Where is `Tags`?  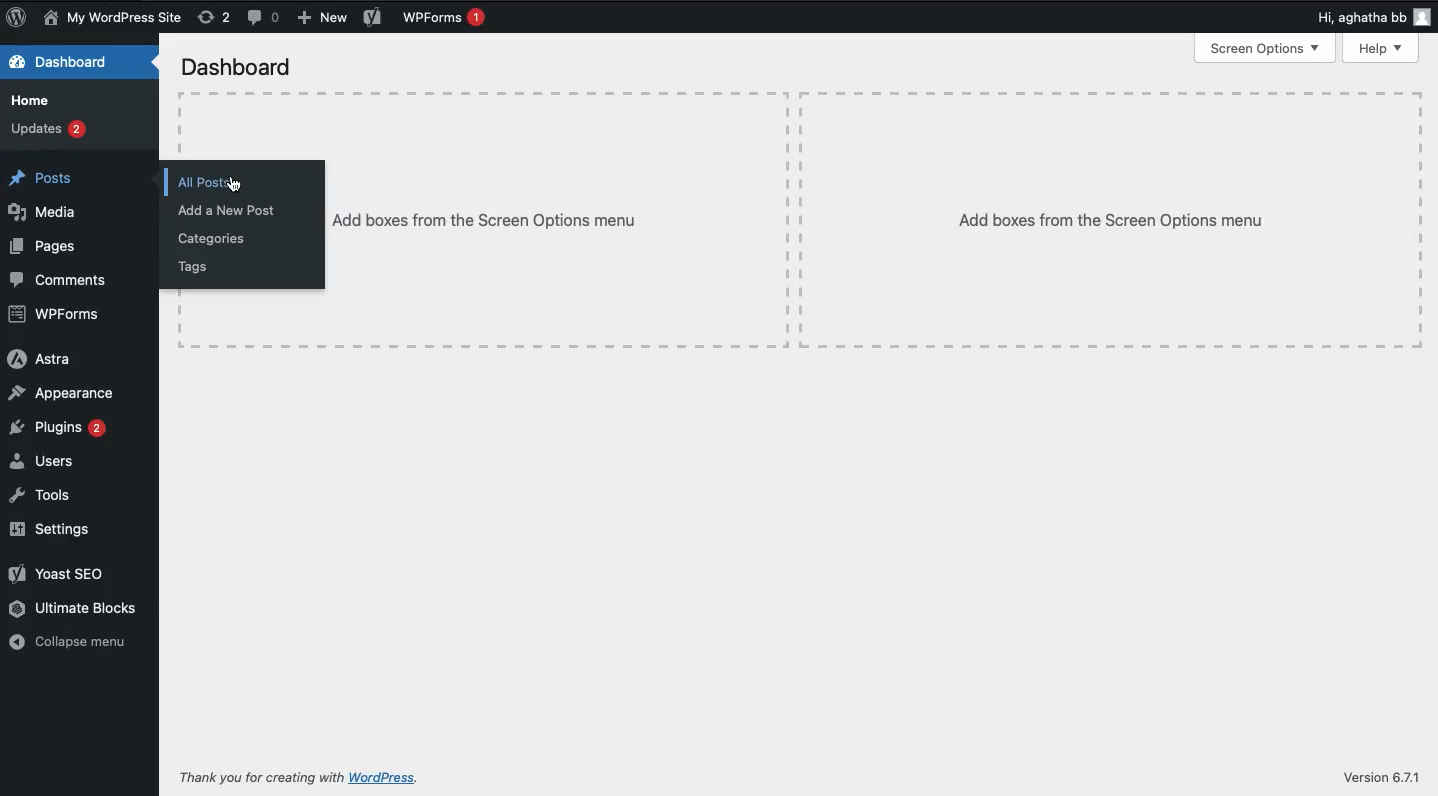
Tags is located at coordinates (191, 269).